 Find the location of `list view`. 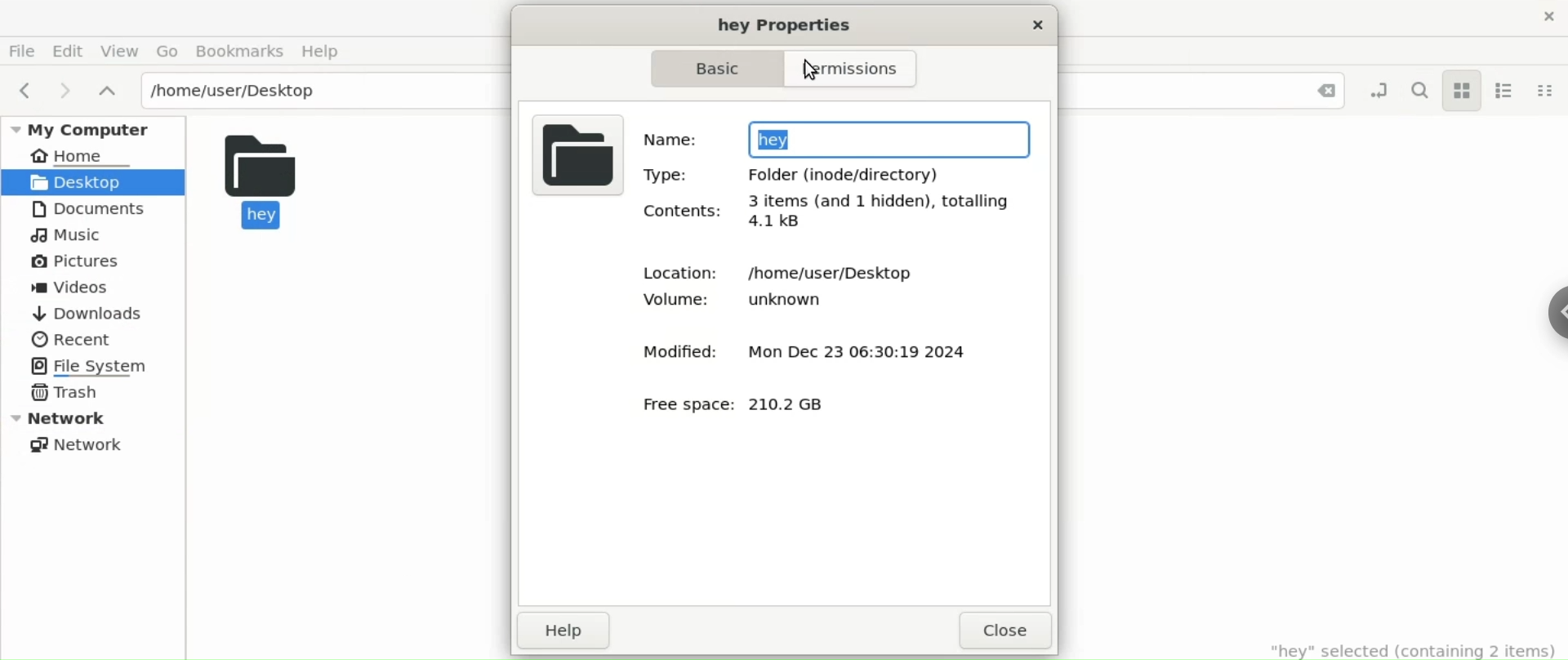

list view is located at coordinates (1507, 92).